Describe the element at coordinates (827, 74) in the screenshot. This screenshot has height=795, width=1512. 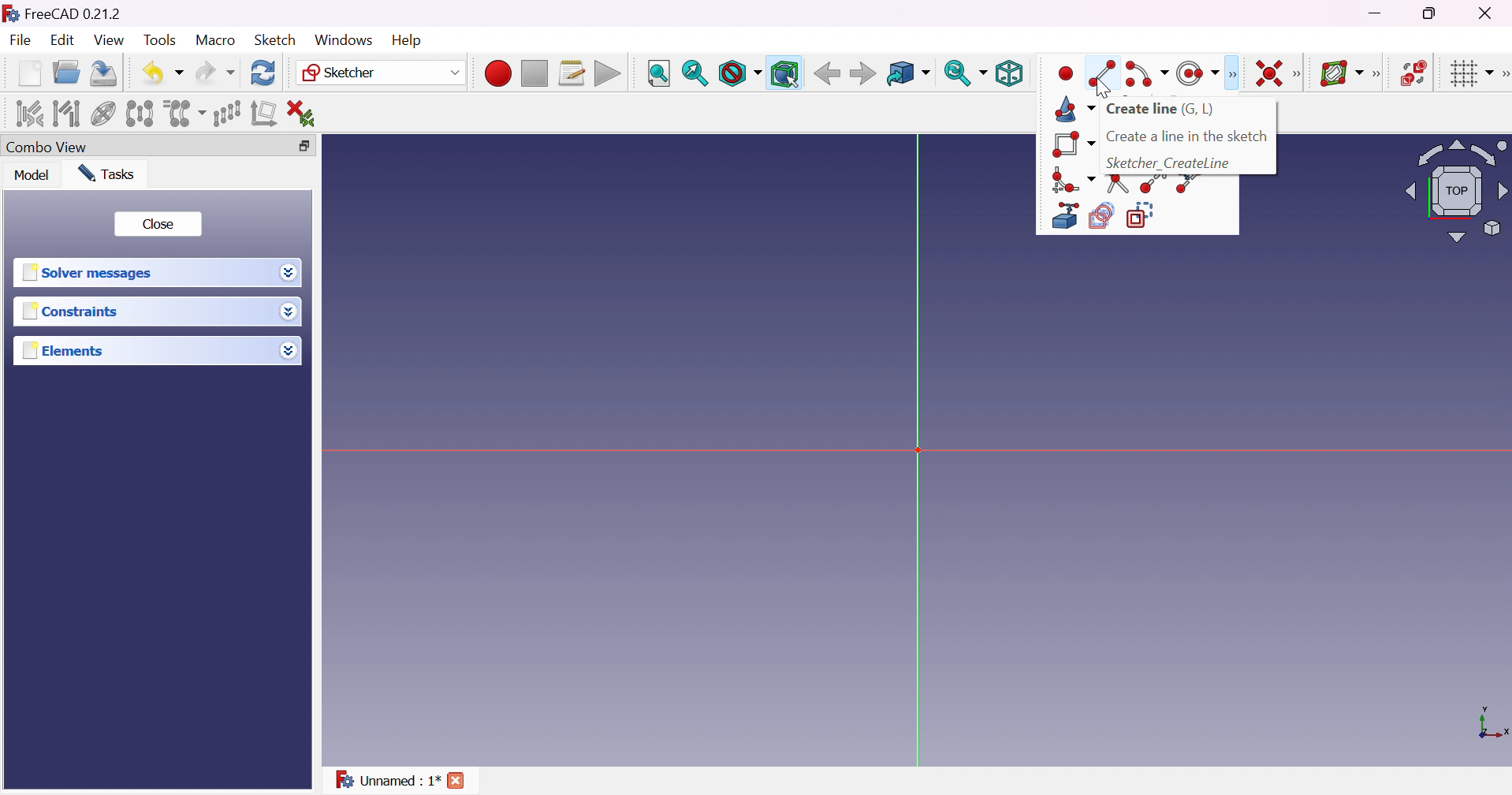
I see `Back` at that location.